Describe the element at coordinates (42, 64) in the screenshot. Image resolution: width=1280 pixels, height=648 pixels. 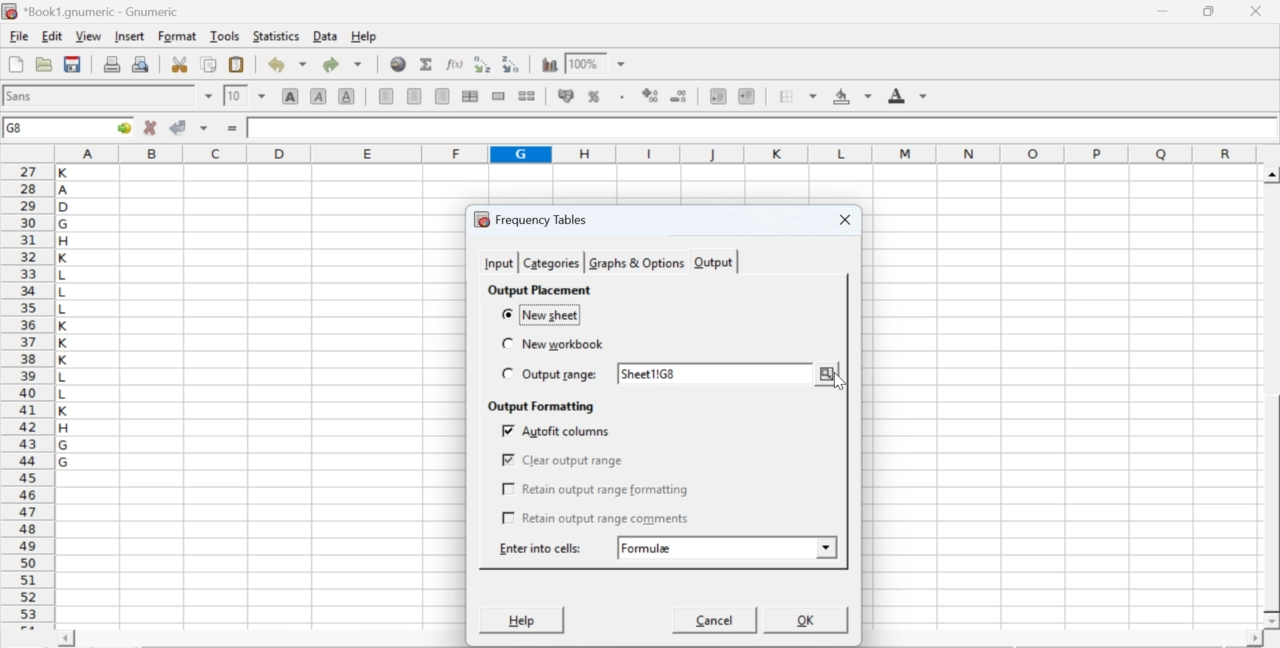
I see `open` at that location.